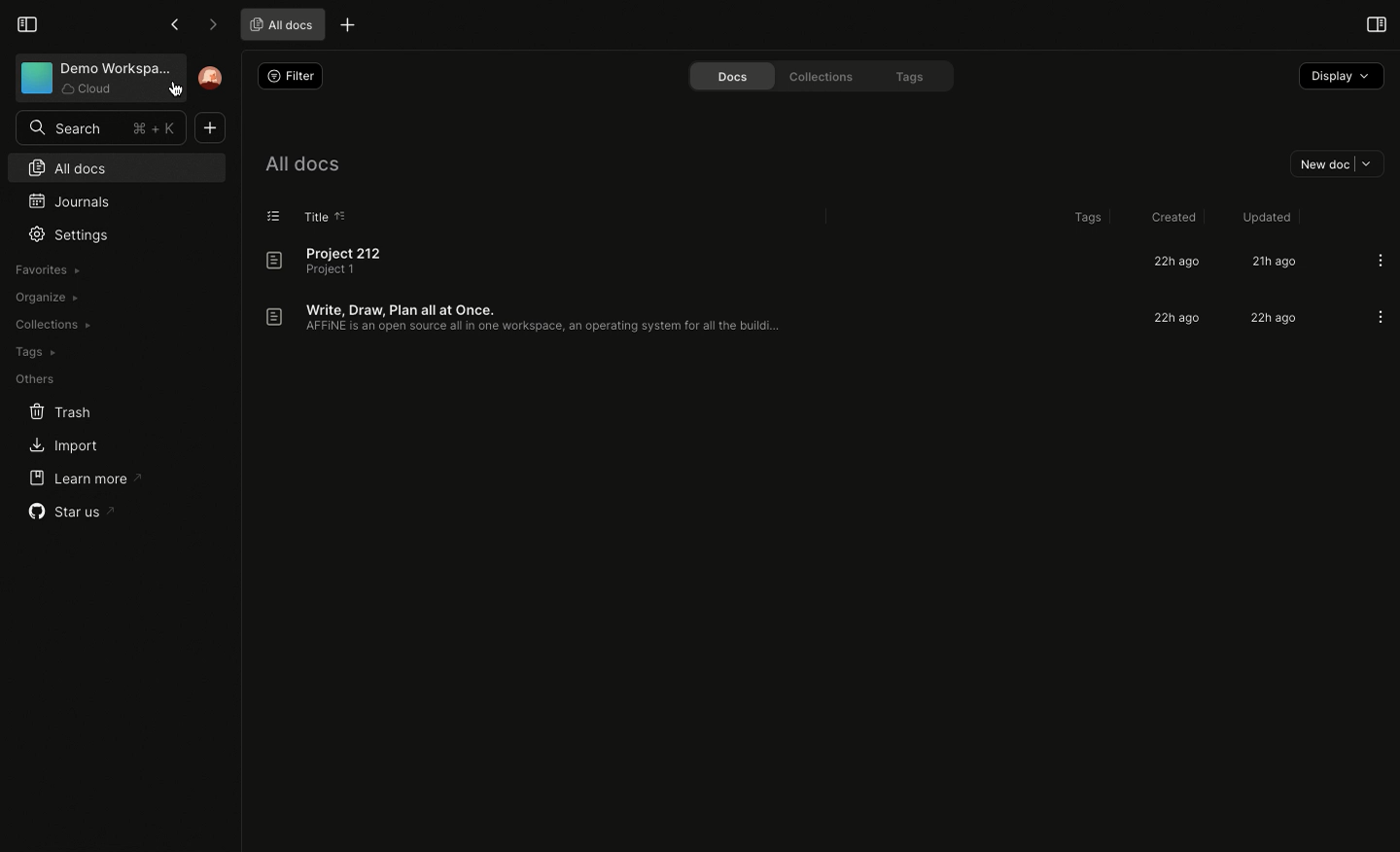 The width and height of the screenshot is (1400, 852). Describe the element at coordinates (344, 214) in the screenshot. I see `Sort` at that location.